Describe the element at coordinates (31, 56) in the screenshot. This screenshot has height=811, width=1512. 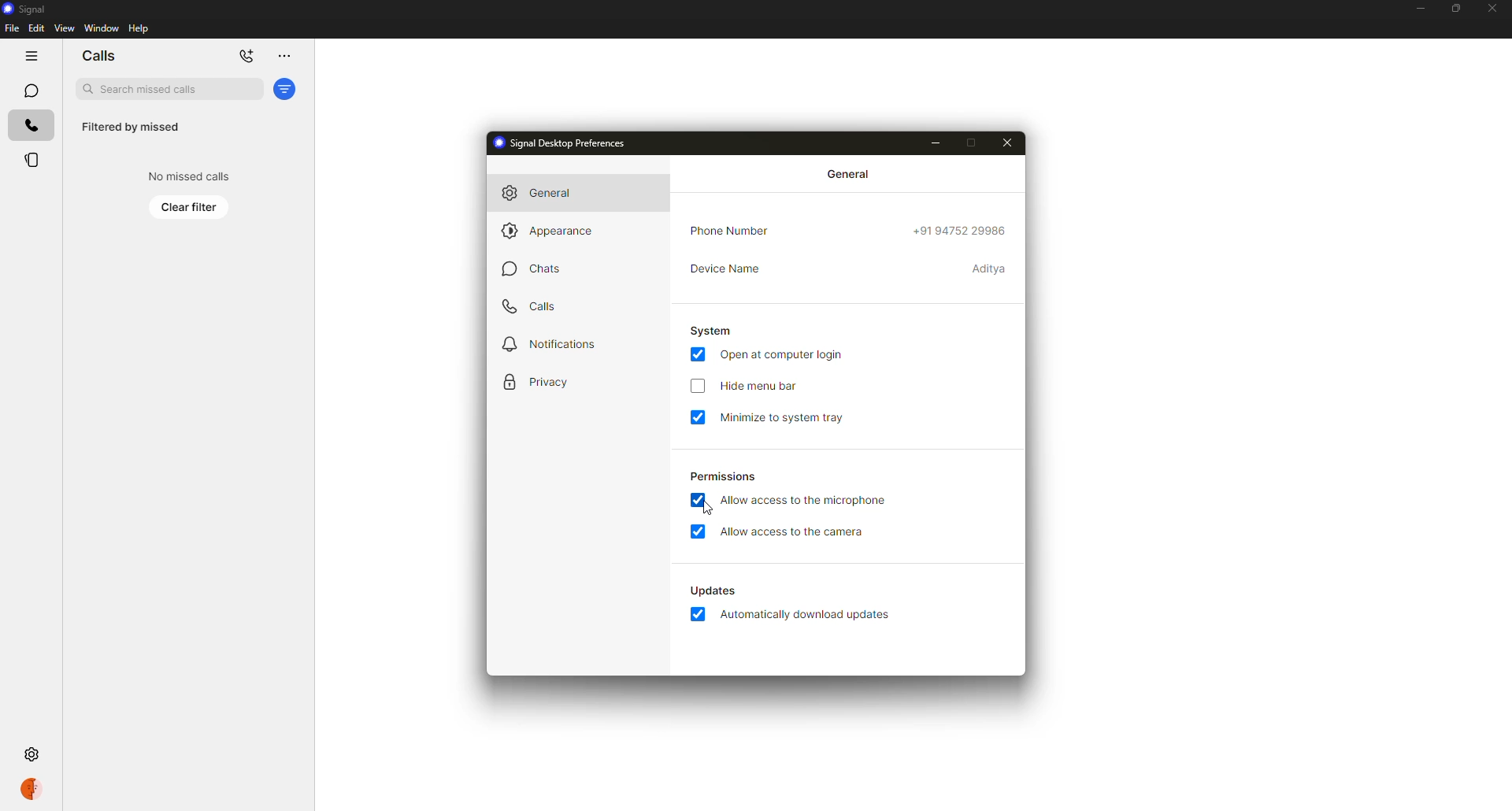
I see `hide tabs` at that location.